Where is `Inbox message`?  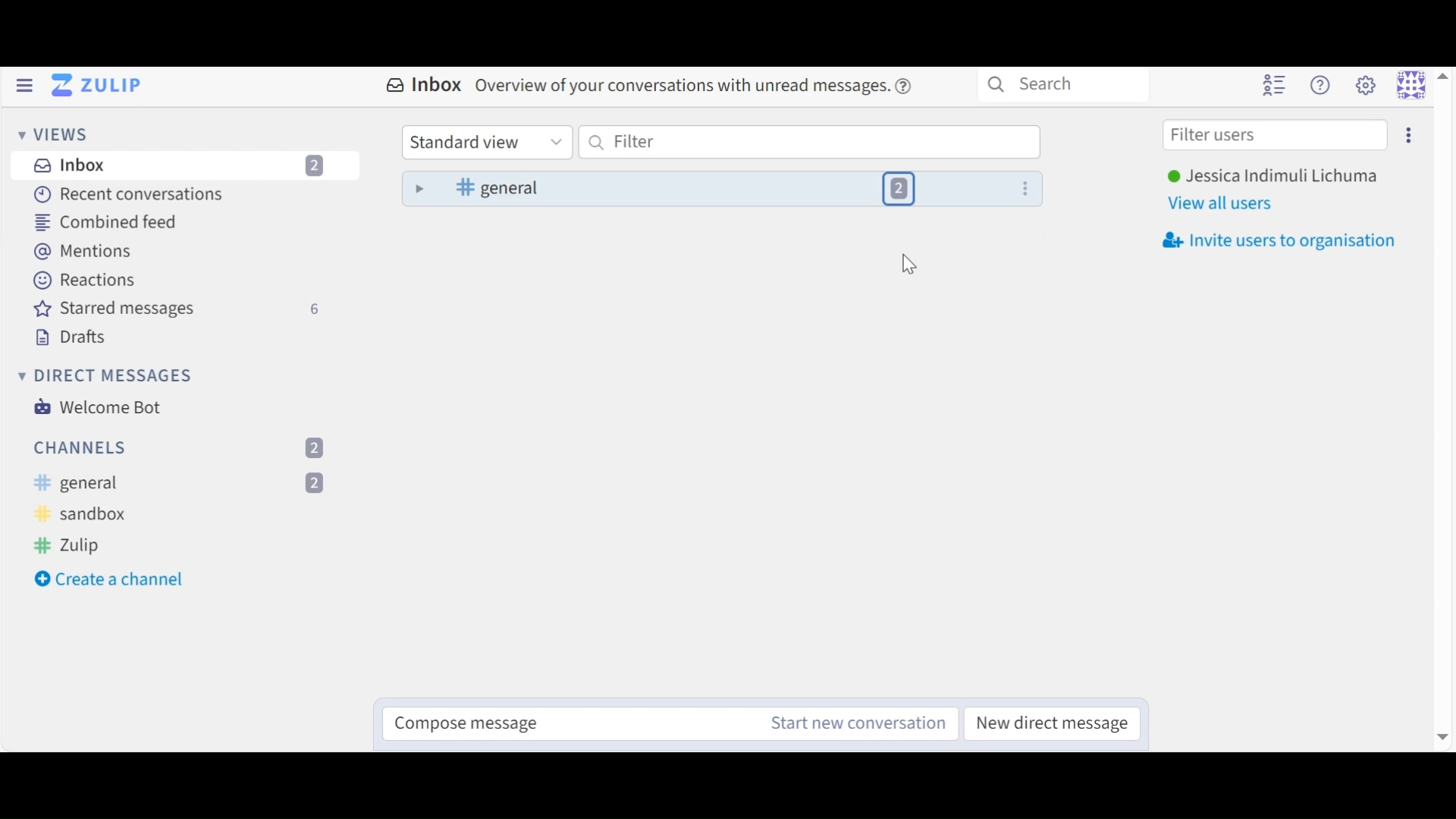
Inbox message is located at coordinates (720, 189).